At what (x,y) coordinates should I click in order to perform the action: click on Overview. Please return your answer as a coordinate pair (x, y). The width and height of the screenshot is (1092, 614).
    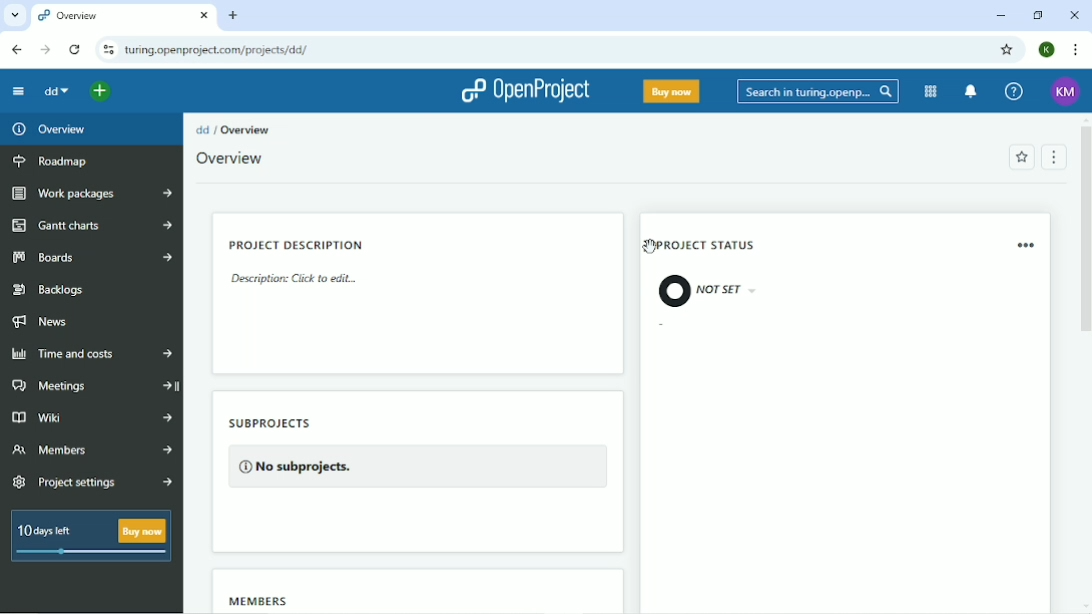
    Looking at the image, I should click on (248, 130).